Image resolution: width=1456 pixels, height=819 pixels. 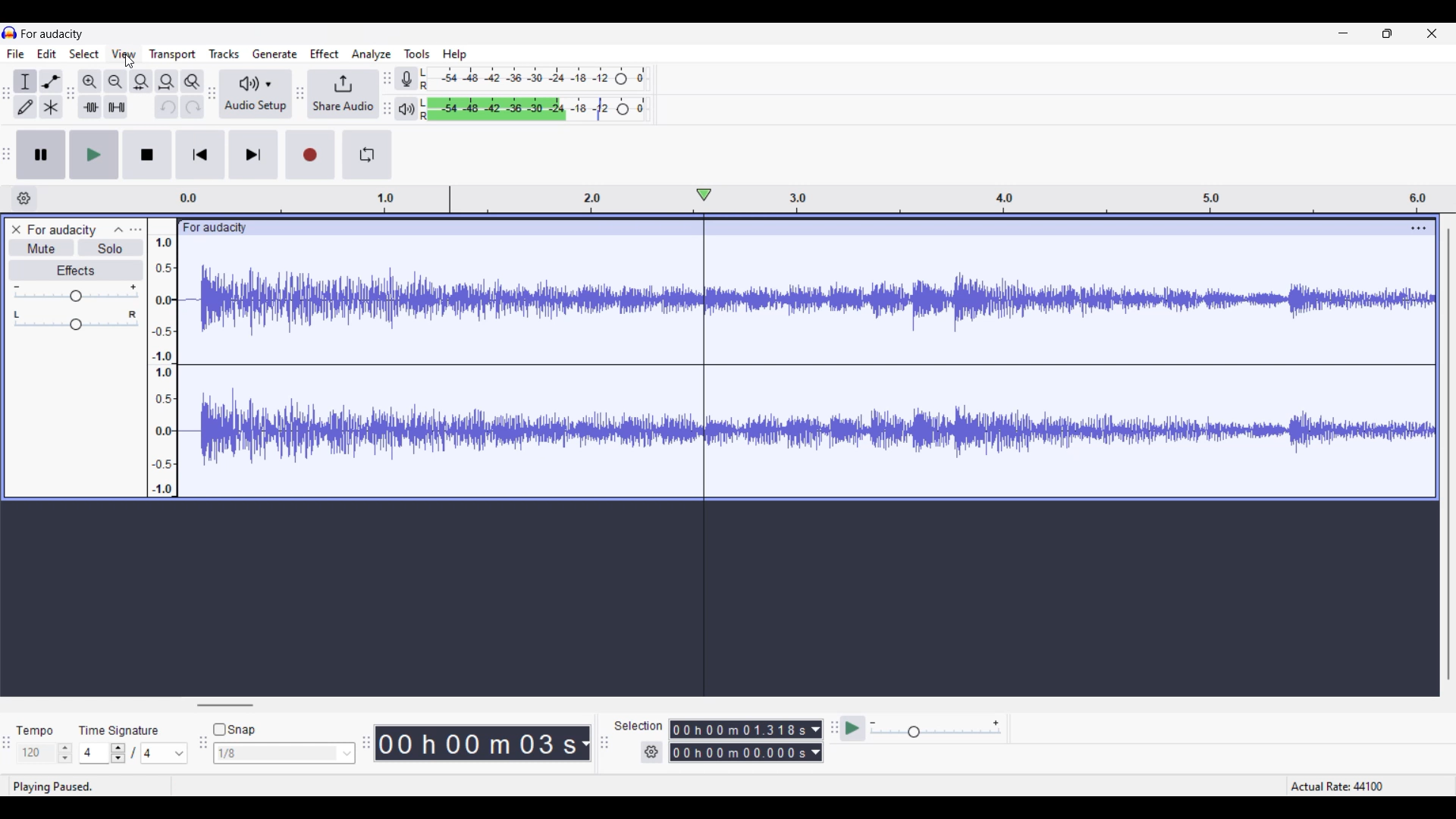 I want to click on Fit project to width , so click(x=166, y=82).